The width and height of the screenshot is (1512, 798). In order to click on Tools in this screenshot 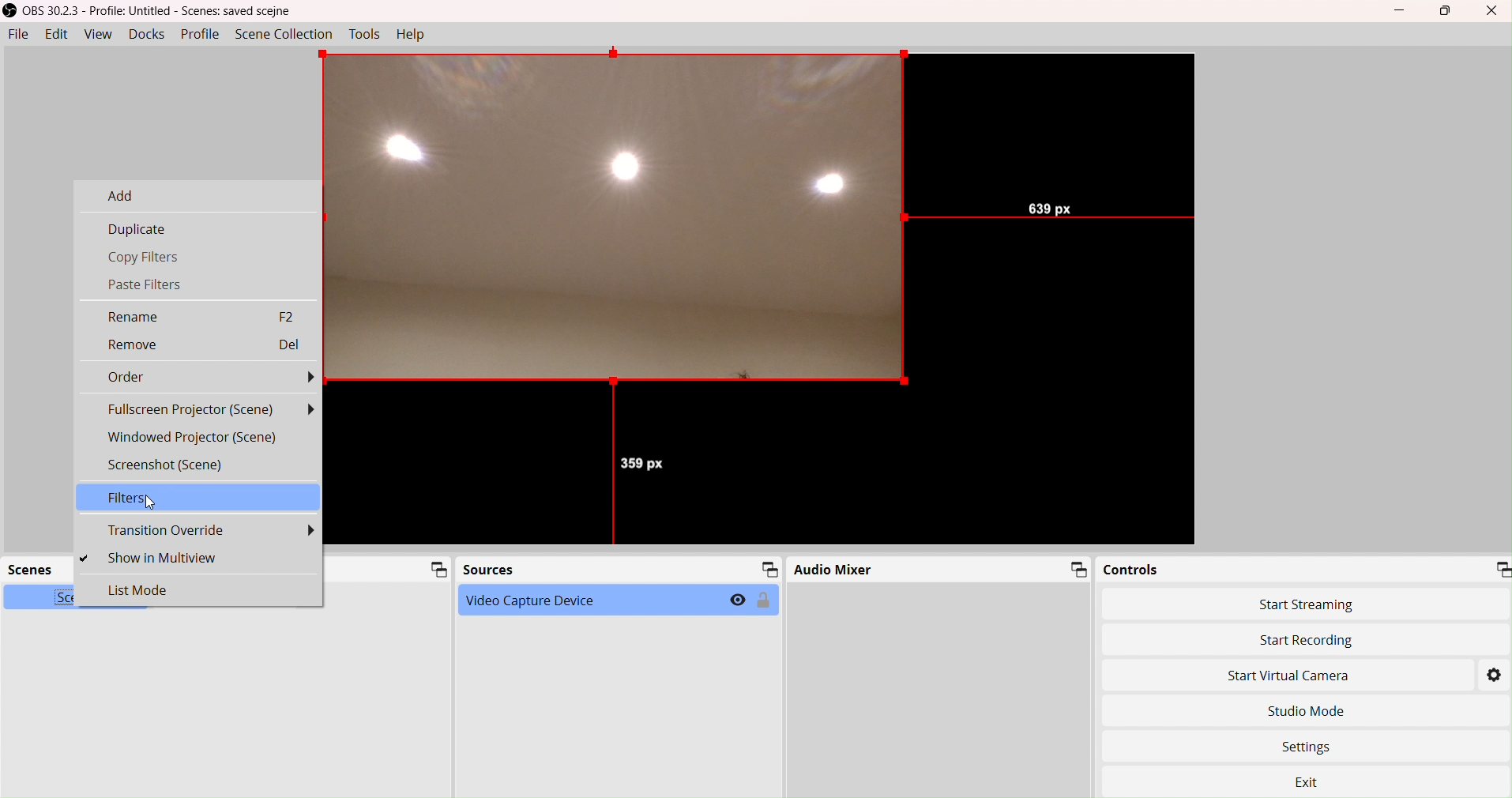, I will do `click(366, 35)`.